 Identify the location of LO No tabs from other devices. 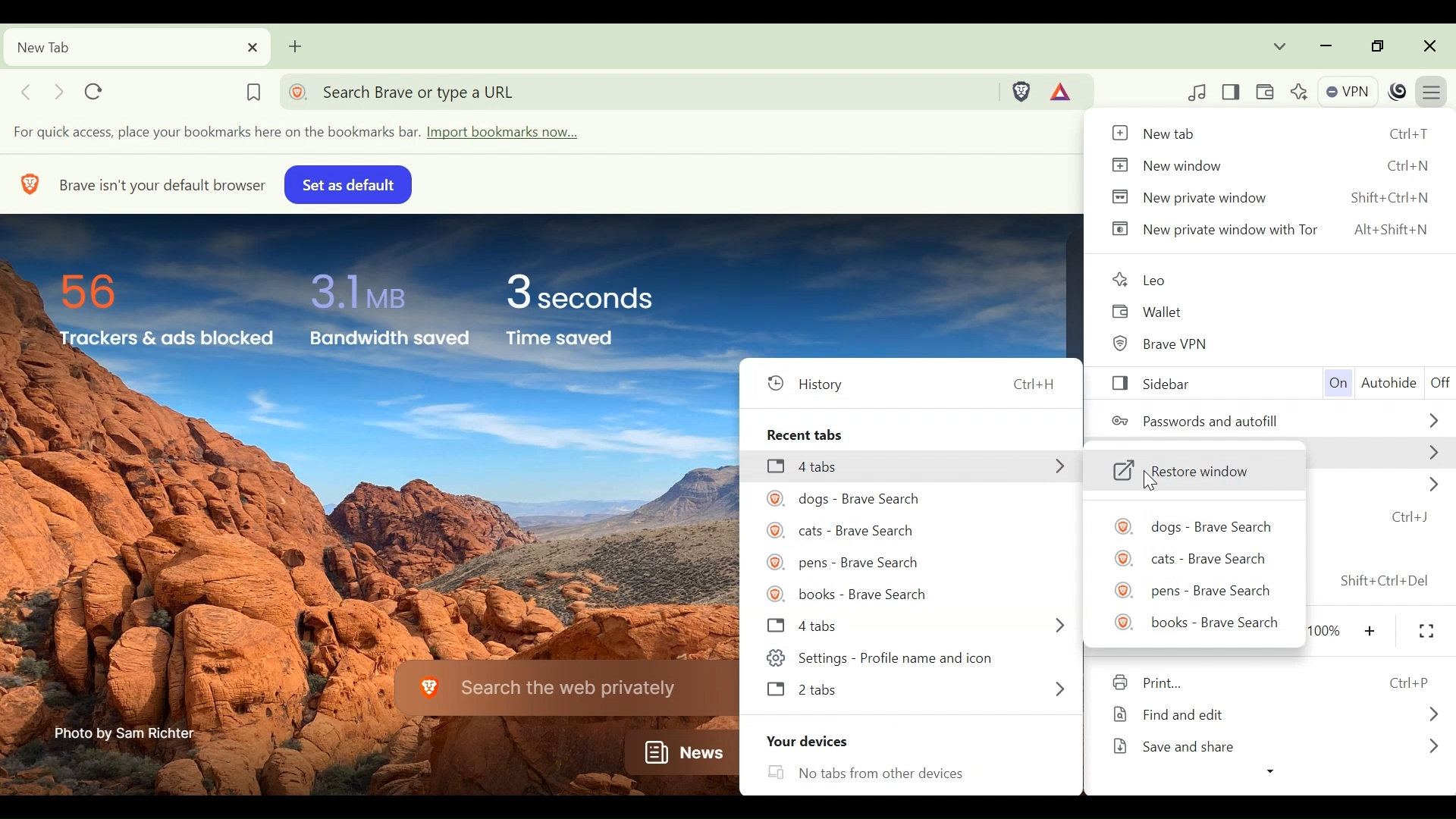
(905, 772).